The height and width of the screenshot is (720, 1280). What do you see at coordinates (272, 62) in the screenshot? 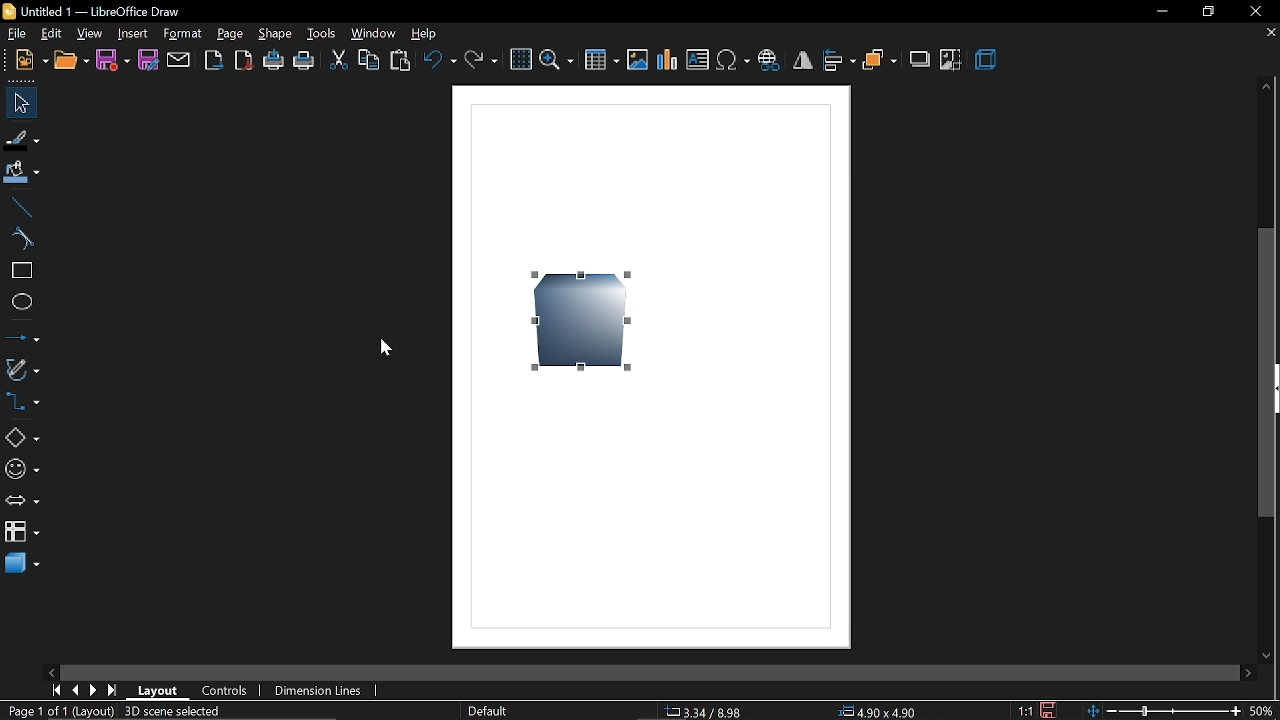
I see `print directly` at bounding box center [272, 62].